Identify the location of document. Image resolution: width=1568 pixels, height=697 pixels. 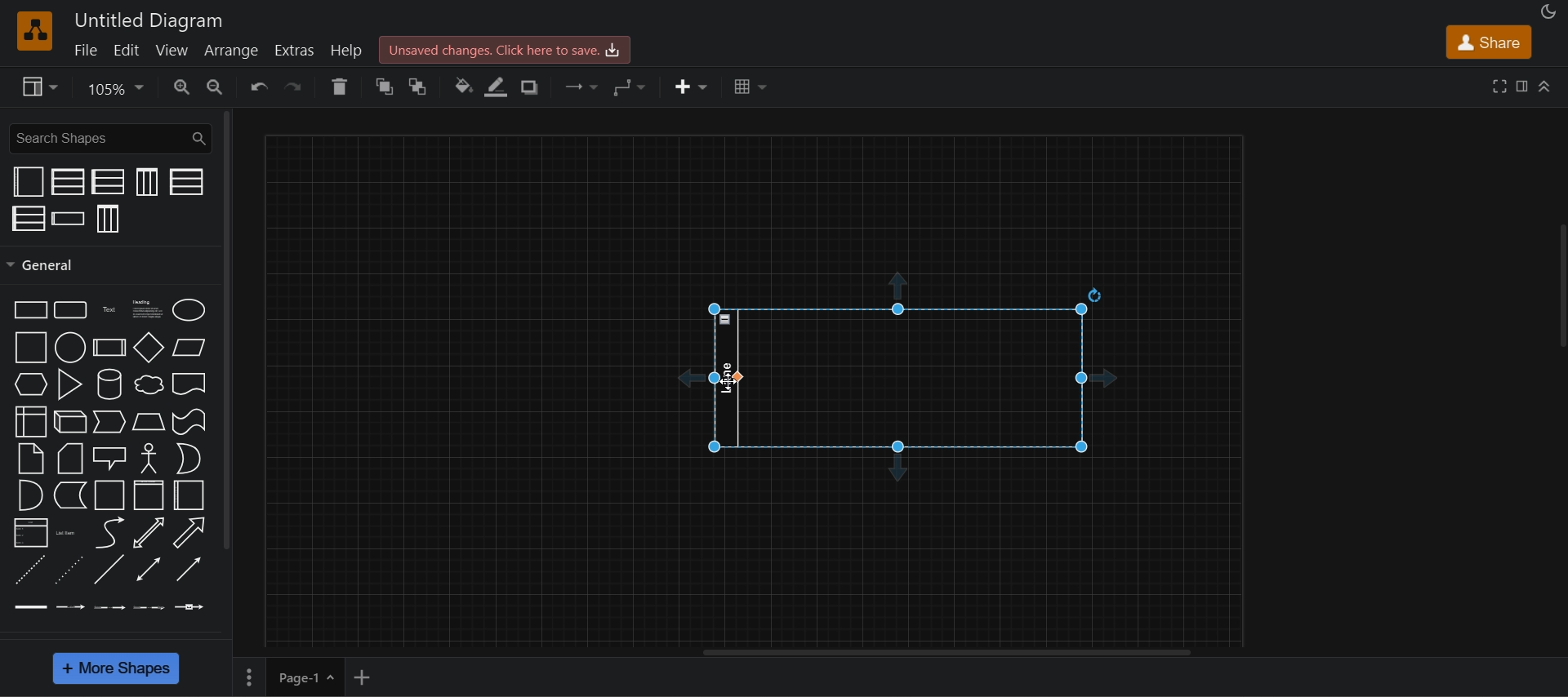
(187, 384).